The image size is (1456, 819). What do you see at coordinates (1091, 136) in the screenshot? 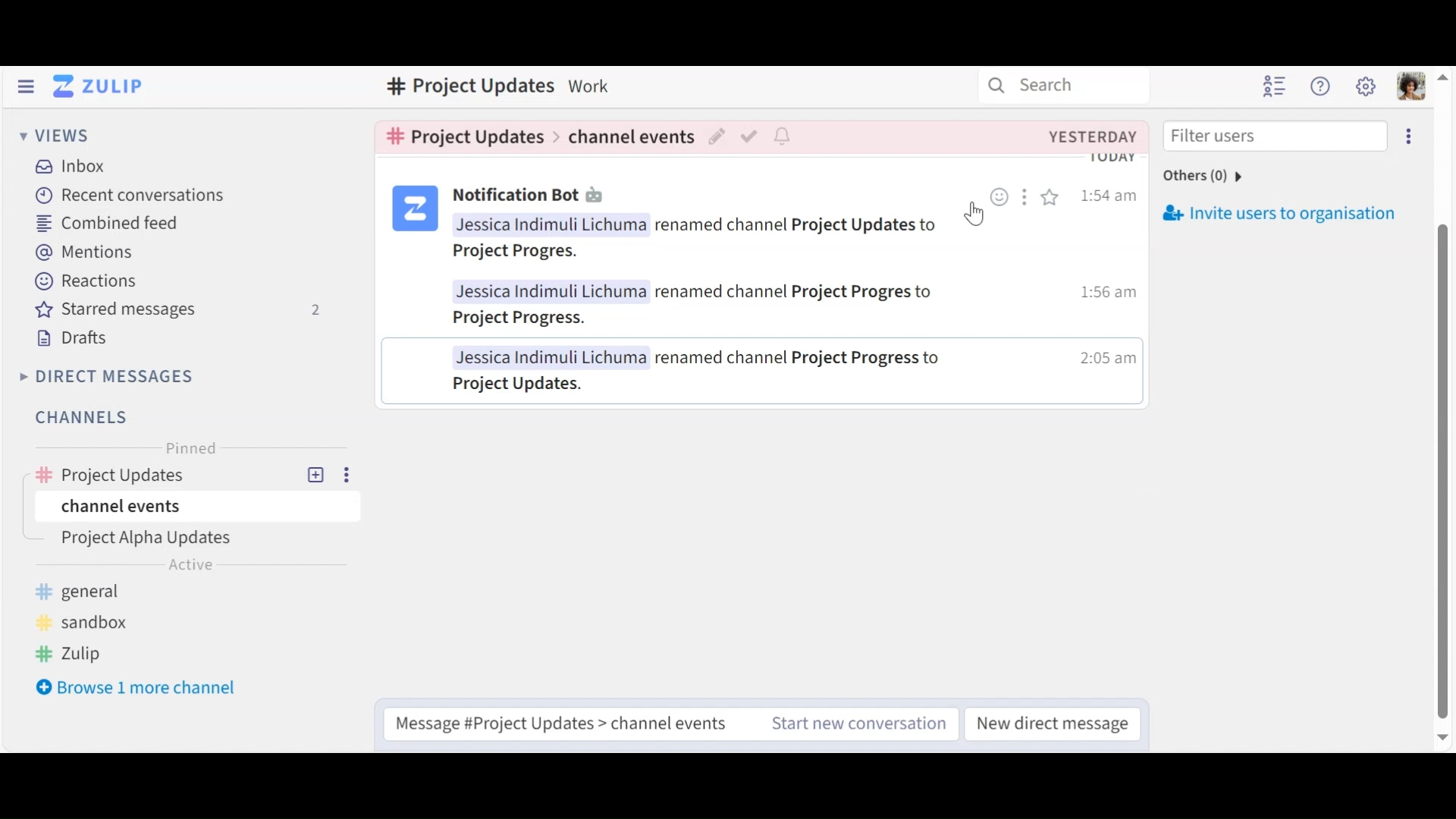
I see `YESTERDAY` at bounding box center [1091, 136].